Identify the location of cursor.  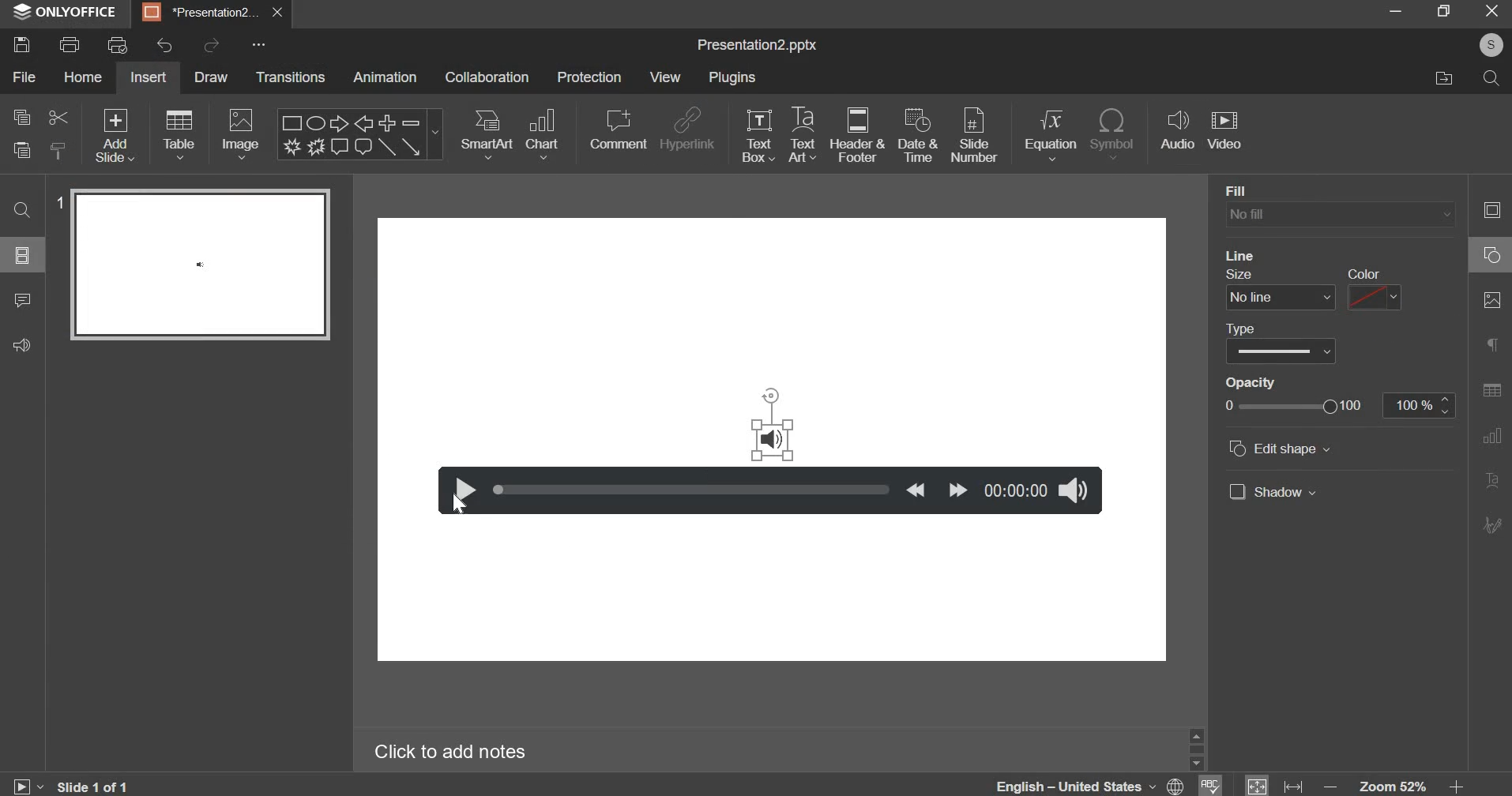
(458, 505).